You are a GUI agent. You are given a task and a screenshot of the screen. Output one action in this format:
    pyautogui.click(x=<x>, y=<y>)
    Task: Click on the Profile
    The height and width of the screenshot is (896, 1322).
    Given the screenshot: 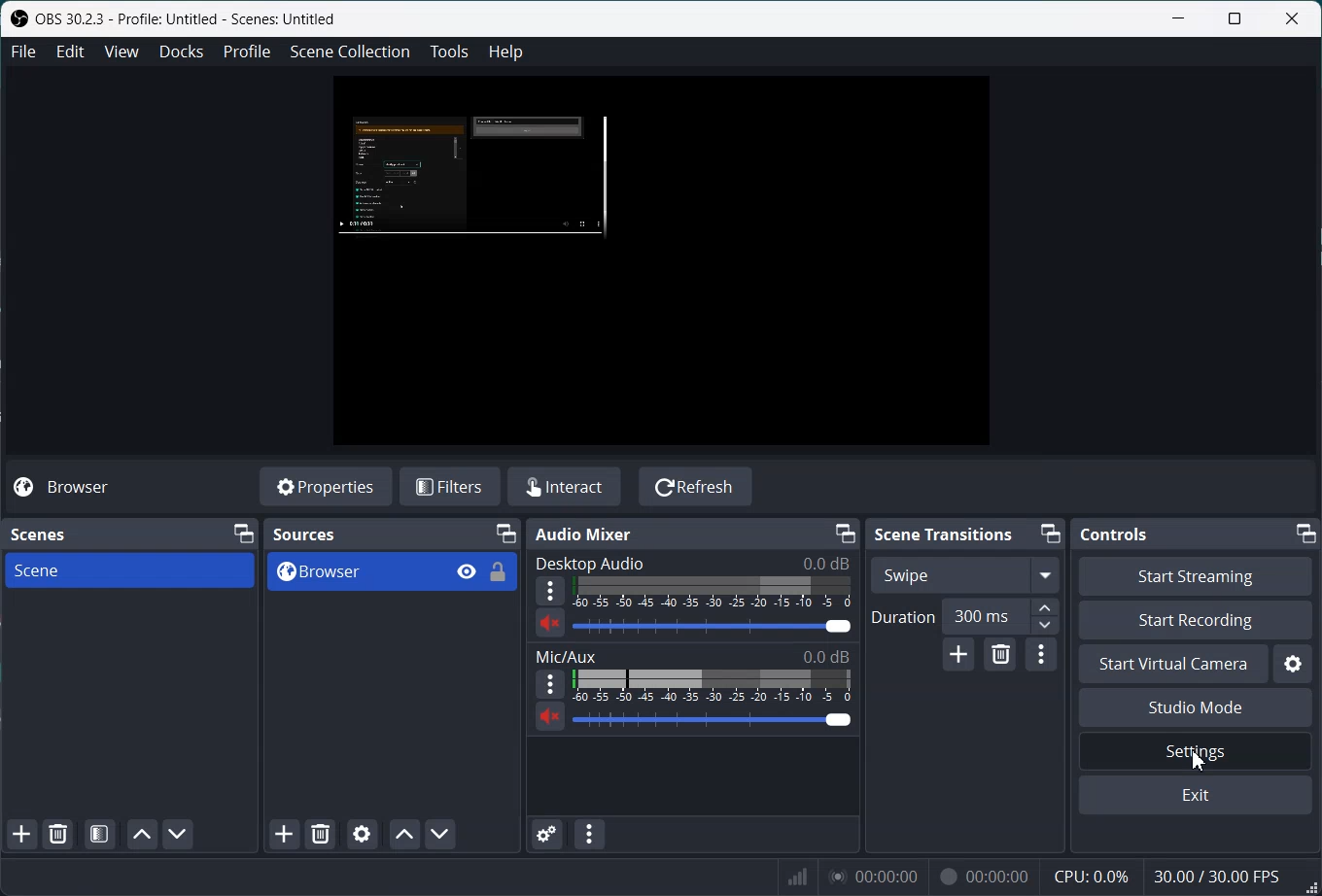 What is the action you would take?
    pyautogui.click(x=247, y=52)
    